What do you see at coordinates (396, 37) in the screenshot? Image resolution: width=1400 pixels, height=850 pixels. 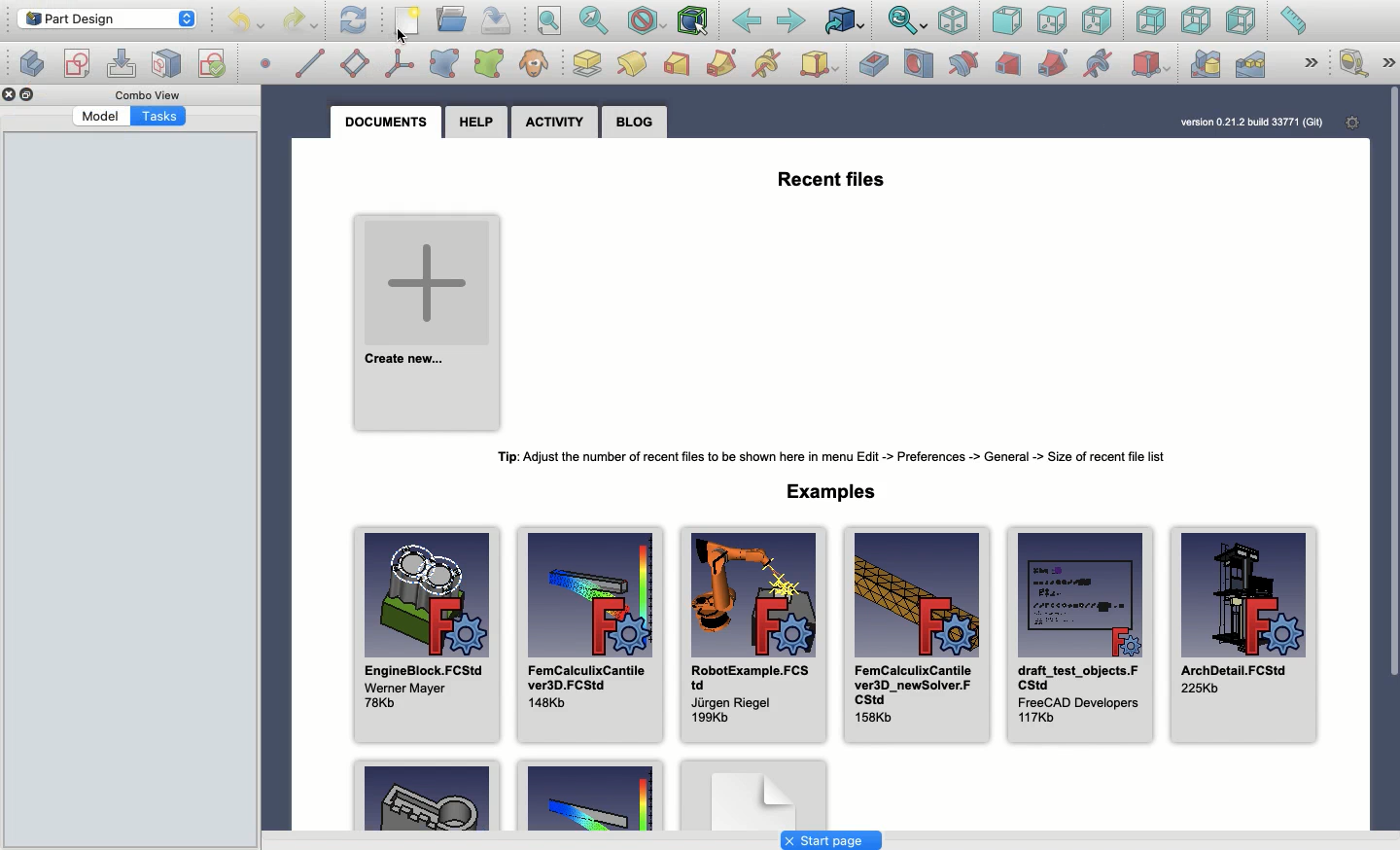 I see `Cursor` at bounding box center [396, 37].